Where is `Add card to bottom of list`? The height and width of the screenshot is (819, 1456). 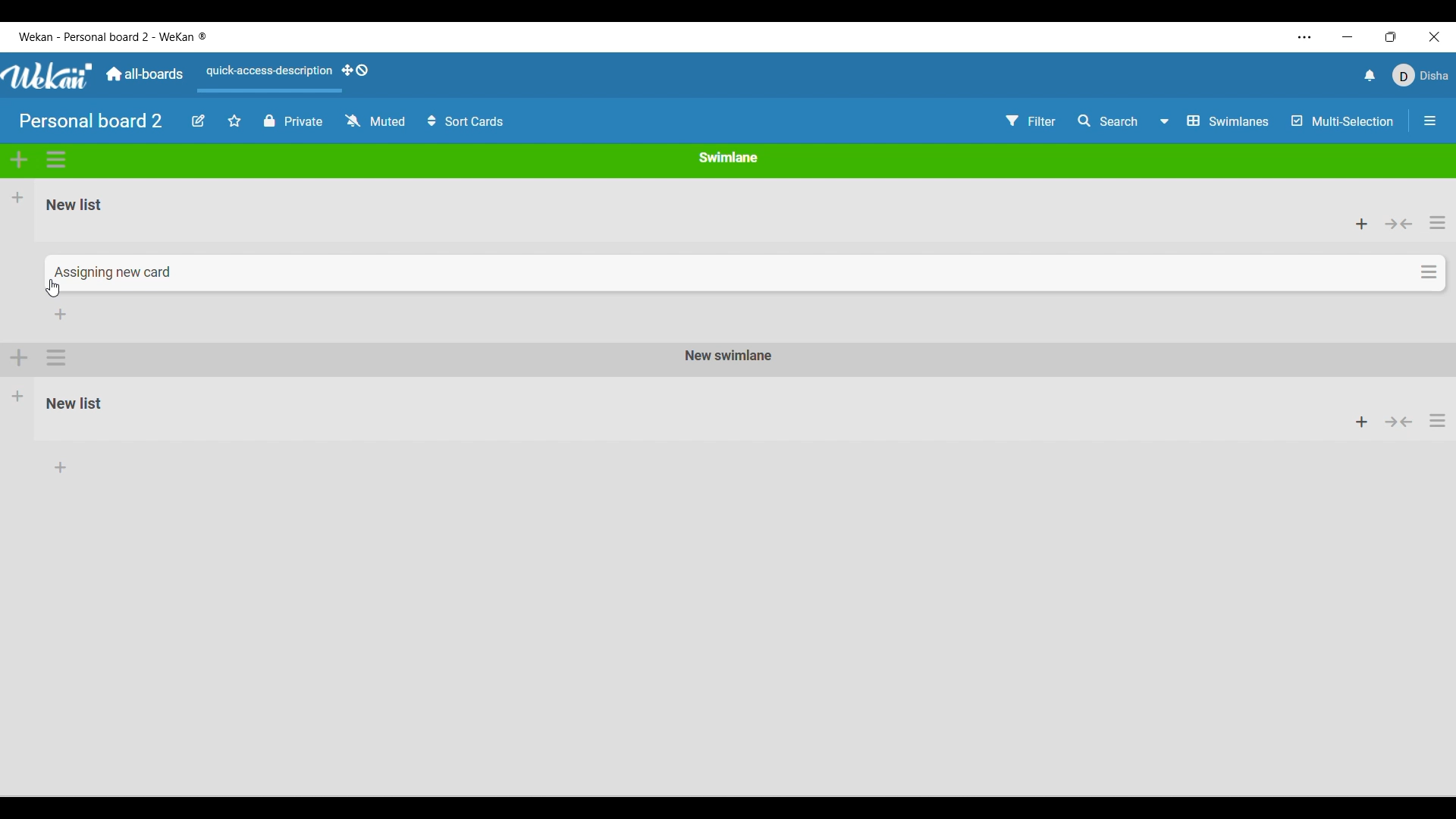 Add card to bottom of list is located at coordinates (61, 314).